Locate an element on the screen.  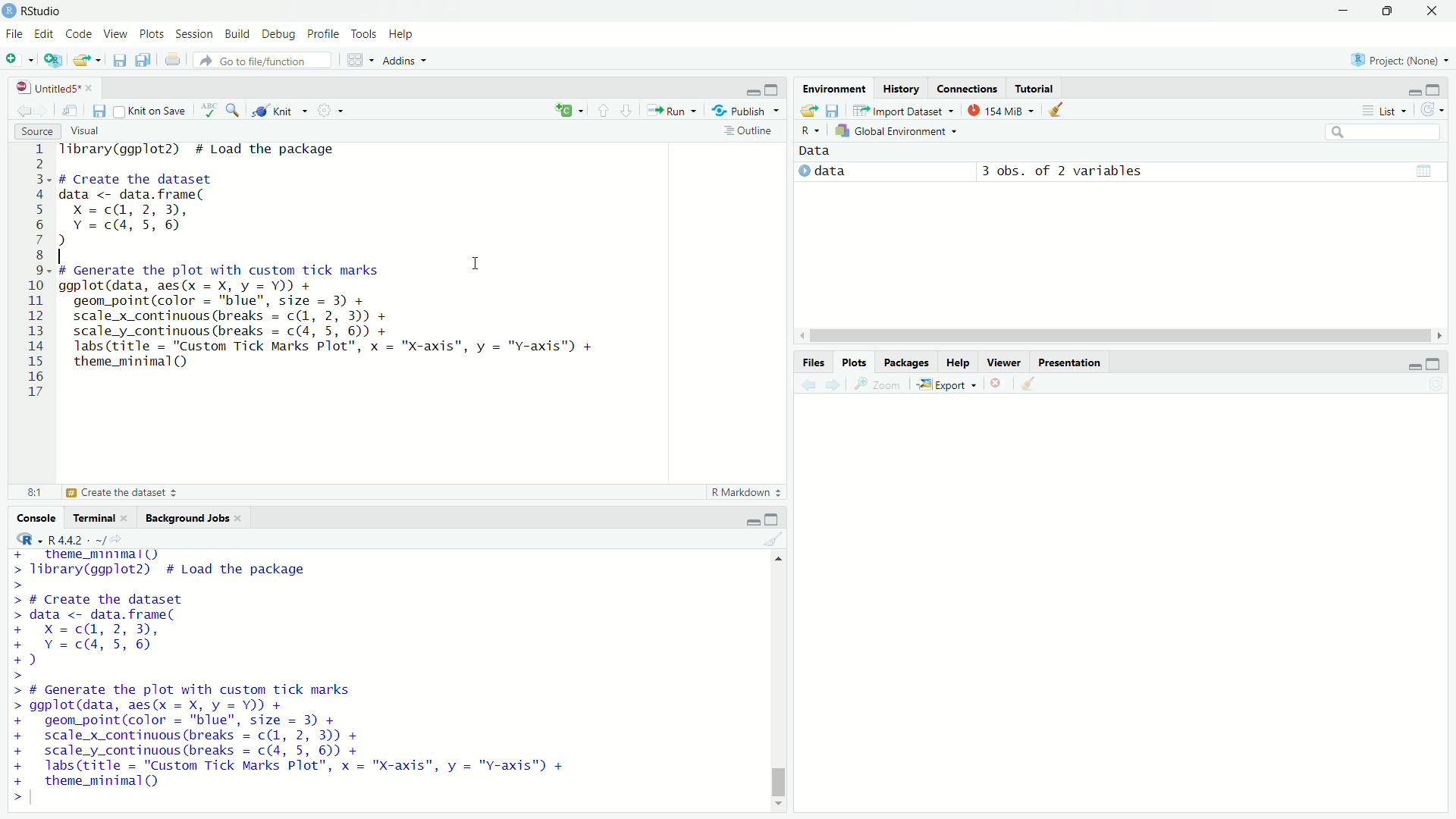
help is located at coordinates (959, 361).